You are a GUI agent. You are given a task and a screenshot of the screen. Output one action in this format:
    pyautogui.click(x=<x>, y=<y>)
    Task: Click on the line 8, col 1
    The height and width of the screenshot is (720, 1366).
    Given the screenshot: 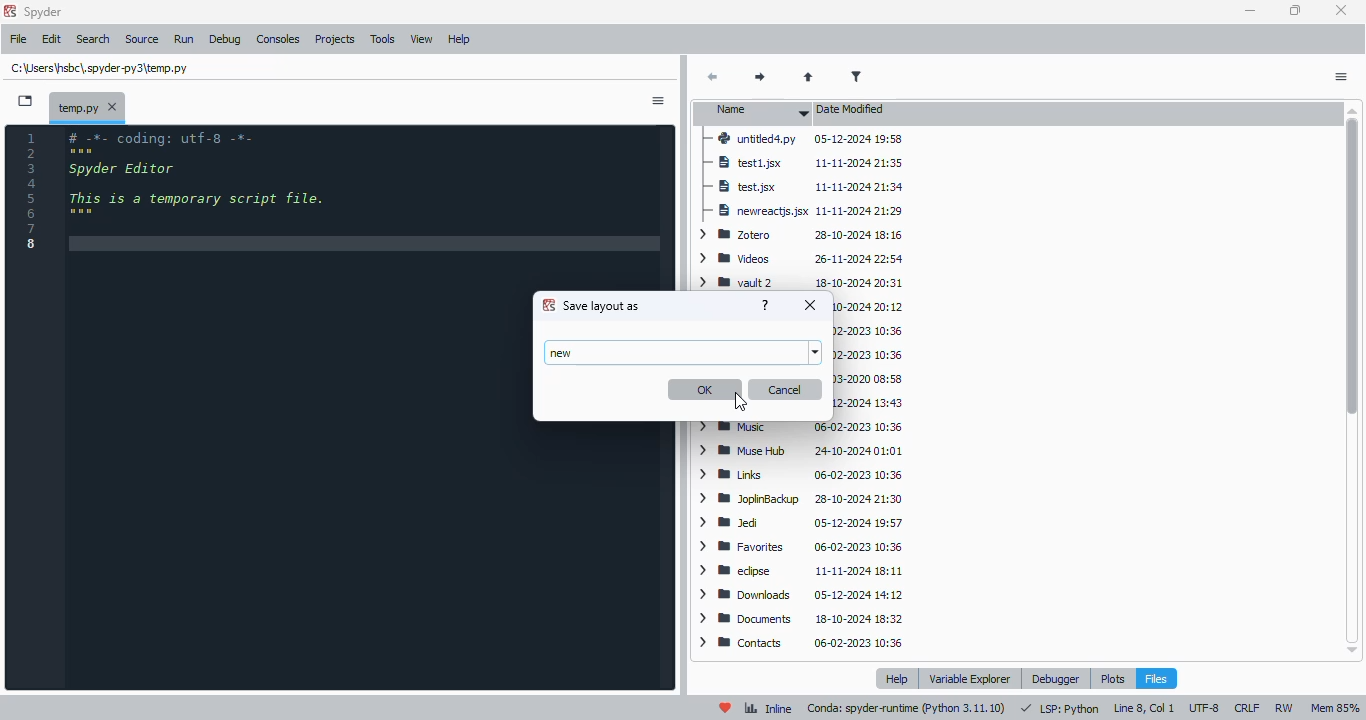 What is the action you would take?
    pyautogui.click(x=1145, y=708)
    